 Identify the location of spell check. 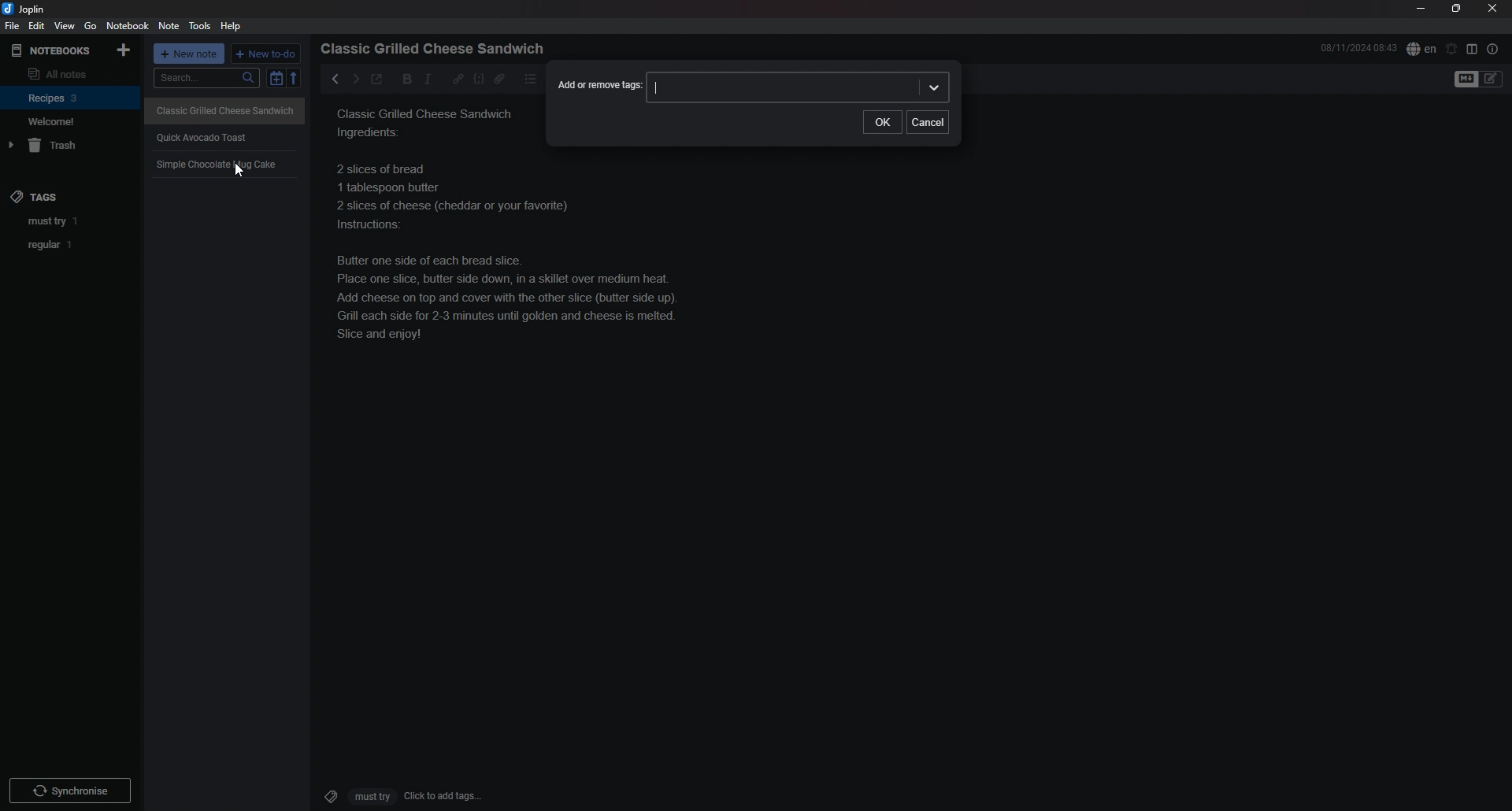
(1421, 48).